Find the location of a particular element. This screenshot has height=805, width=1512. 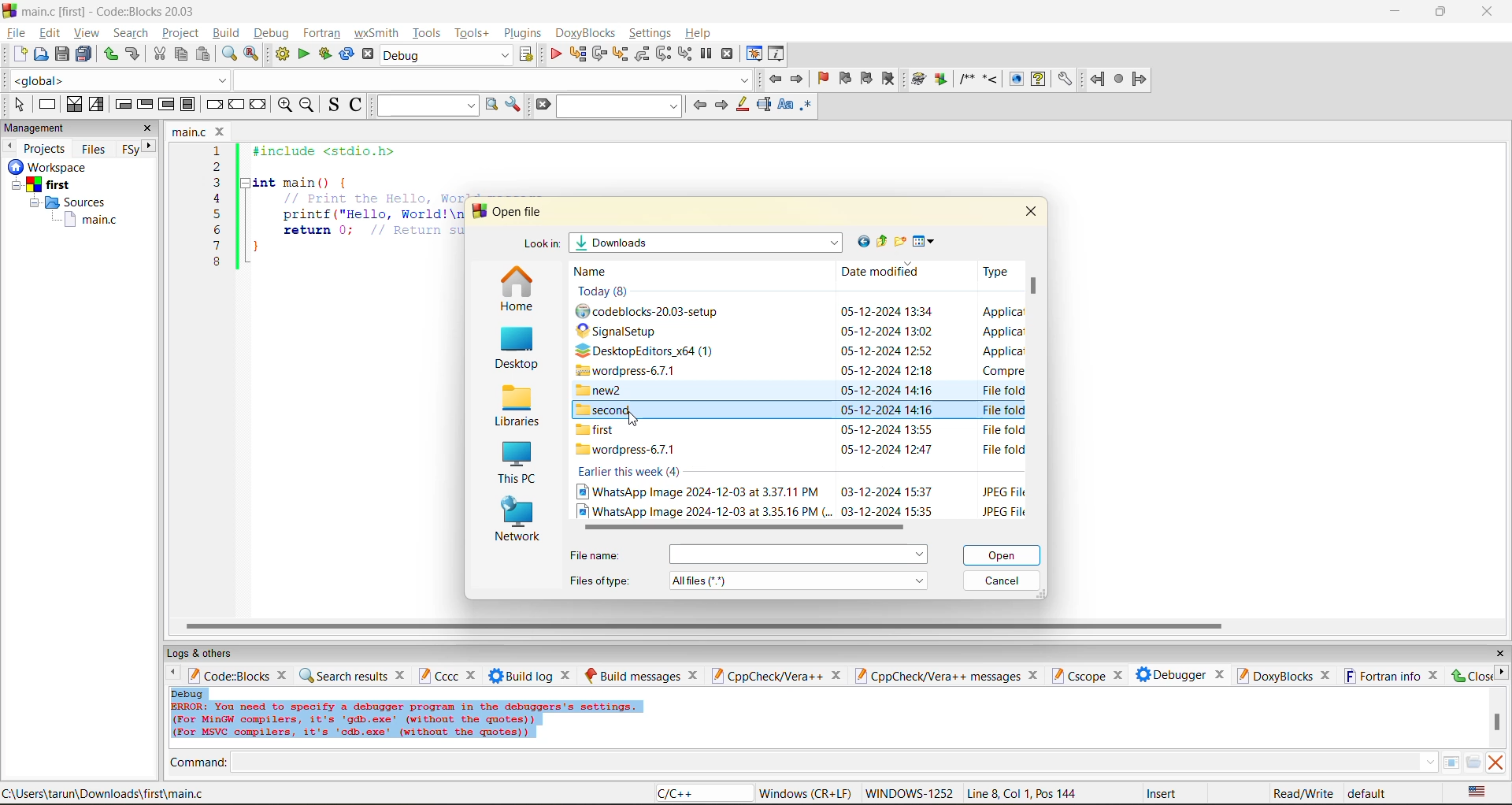

build is located at coordinates (225, 32).